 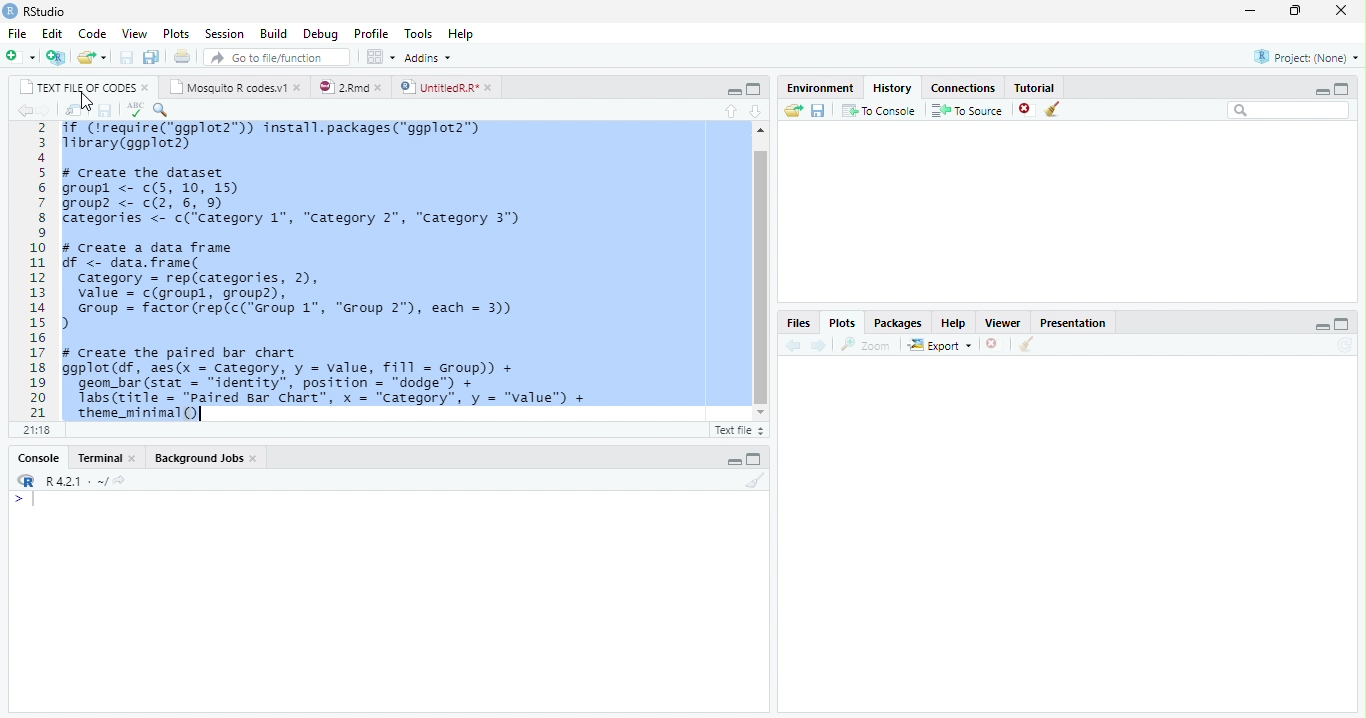 What do you see at coordinates (105, 110) in the screenshot?
I see `save current document` at bounding box center [105, 110].